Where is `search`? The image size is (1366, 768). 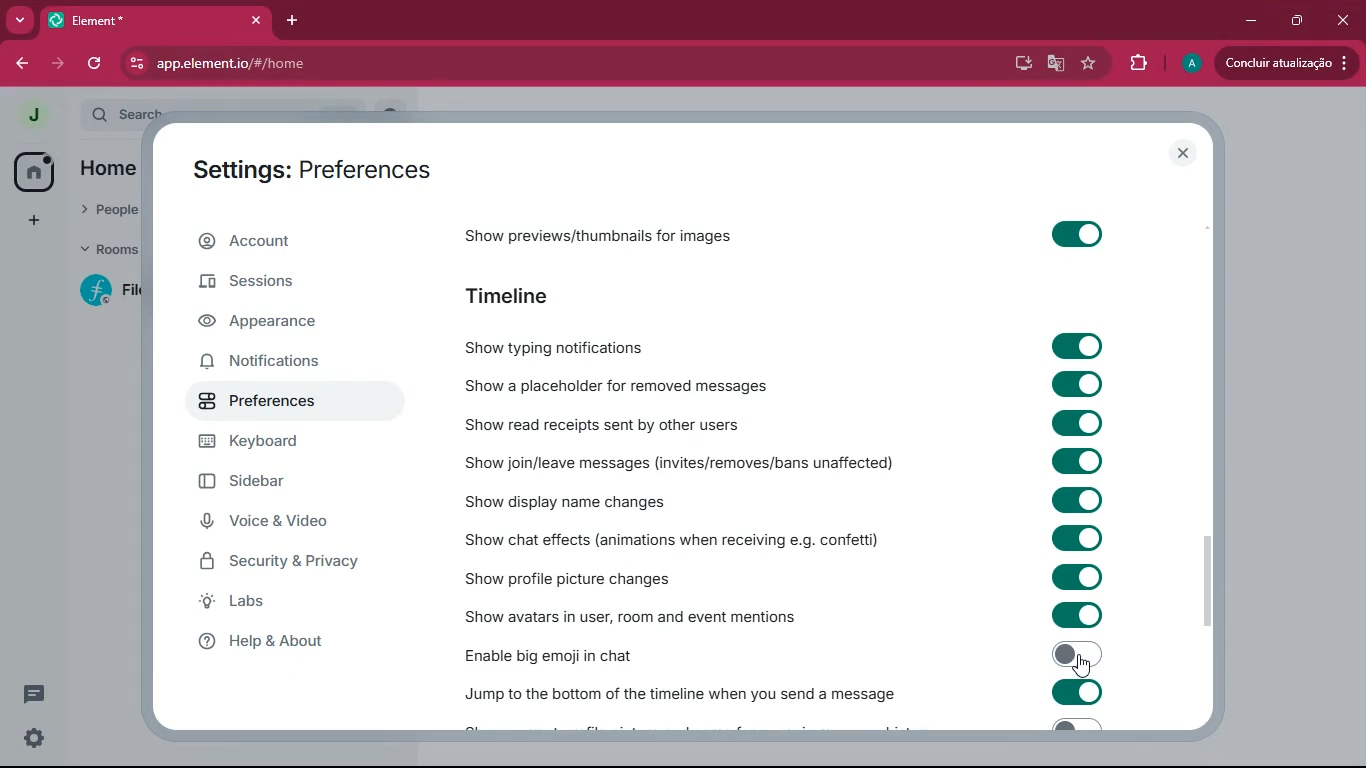
search is located at coordinates (125, 109).